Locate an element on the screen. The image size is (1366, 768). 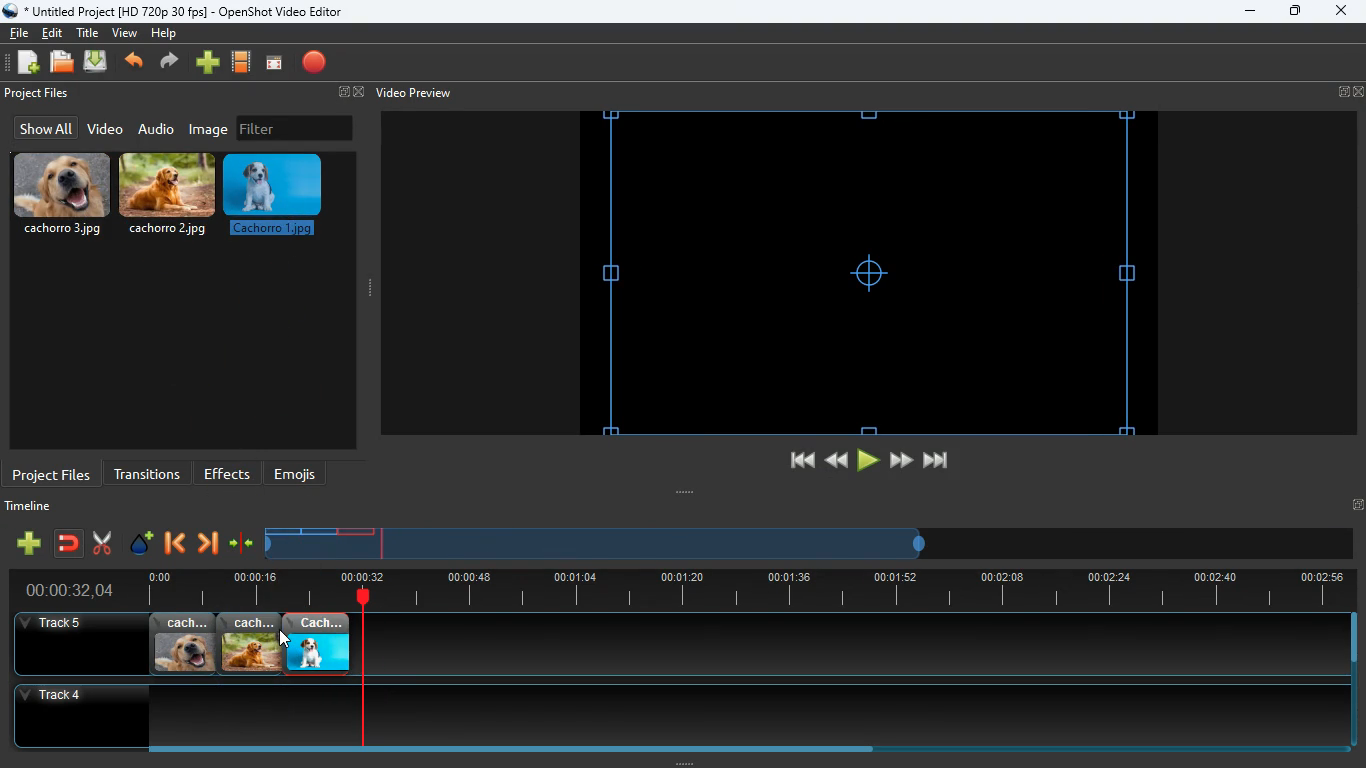
cut is located at coordinates (102, 543).